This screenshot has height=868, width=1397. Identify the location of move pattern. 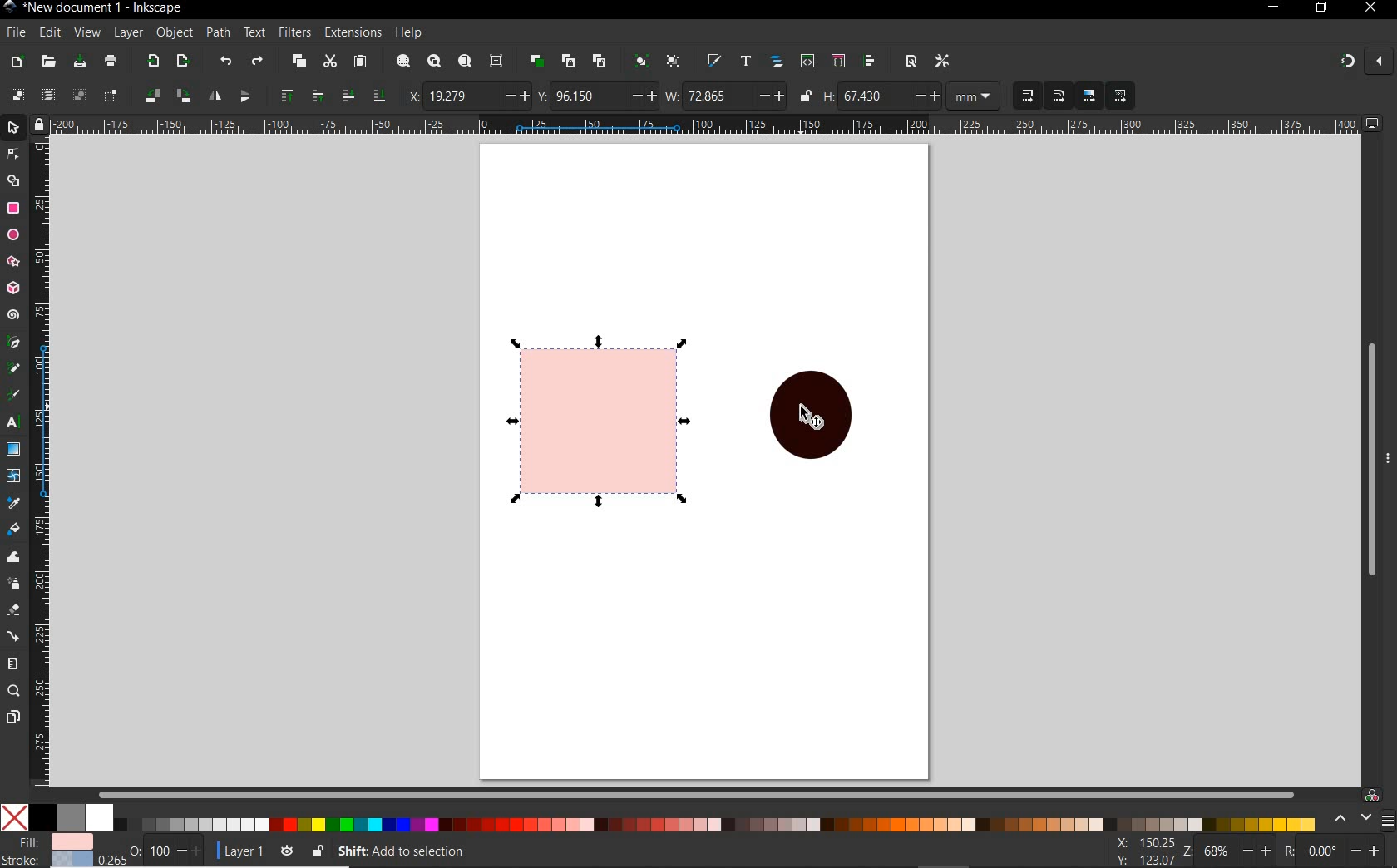
(1118, 96).